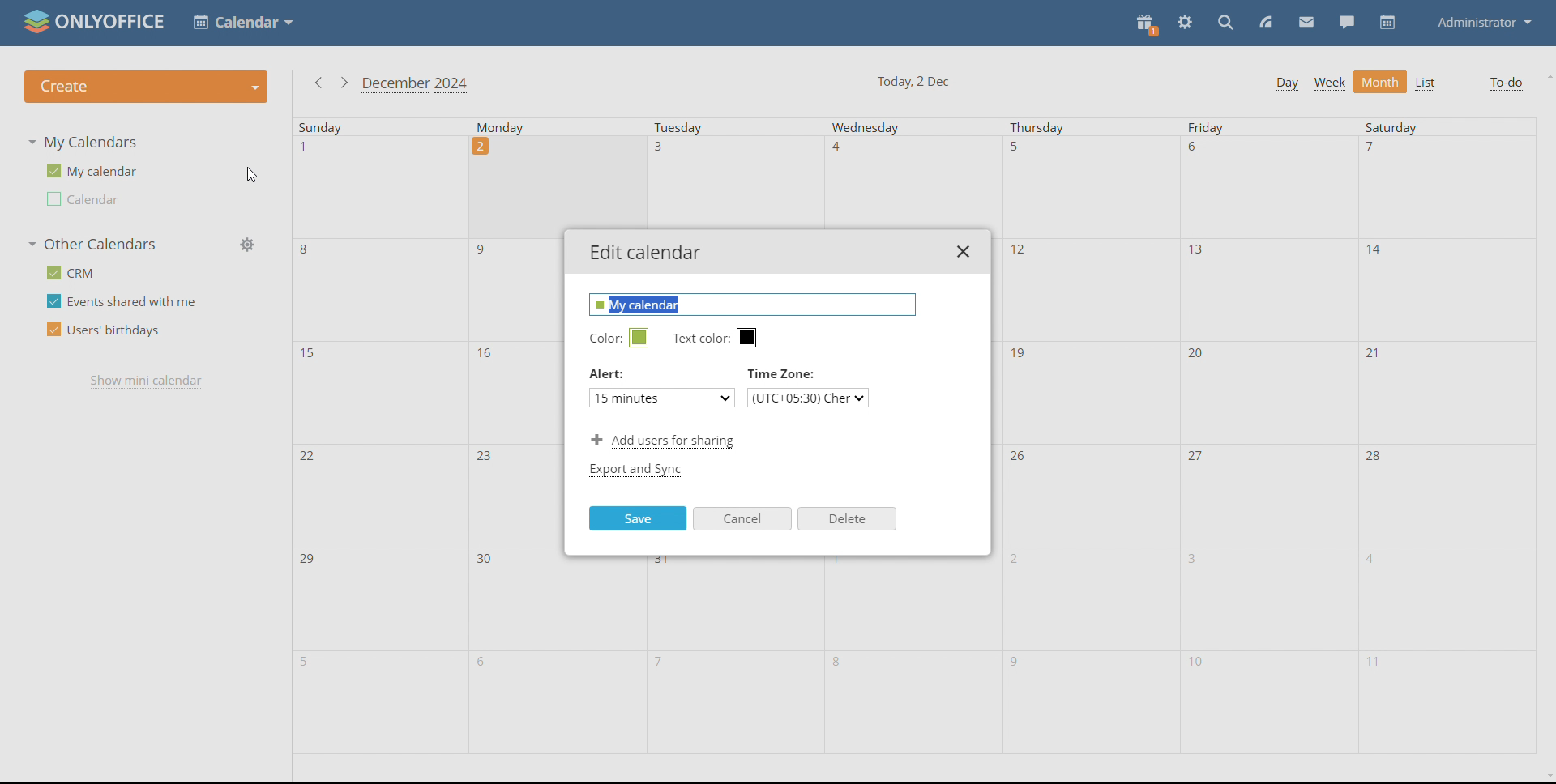 This screenshot has width=1556, height=784. What do you see at coordinates (962, 254) in the screenshot?
I see `close` at bounding box center [962, 254].